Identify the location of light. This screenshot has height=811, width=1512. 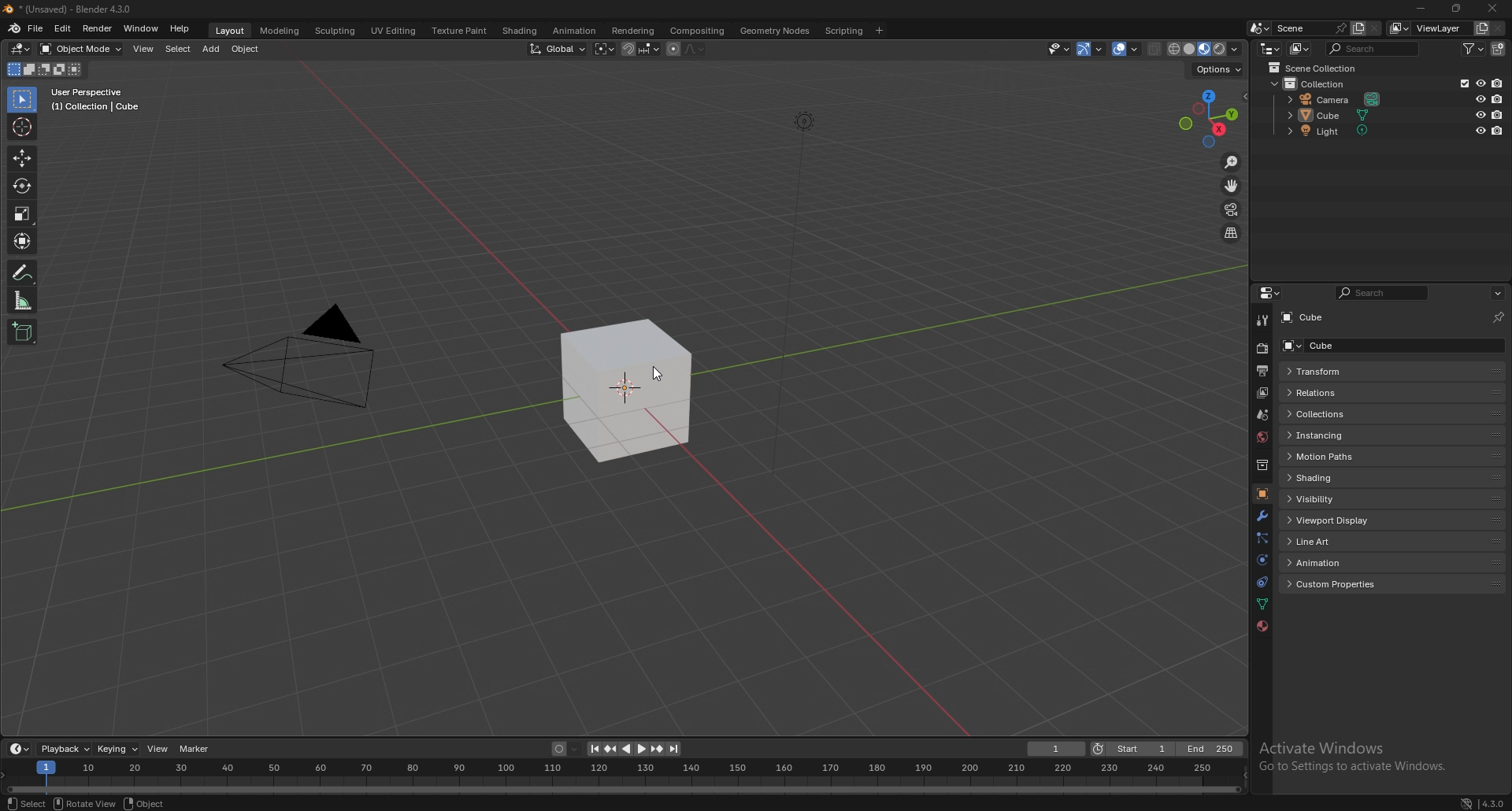
(1333, 131).